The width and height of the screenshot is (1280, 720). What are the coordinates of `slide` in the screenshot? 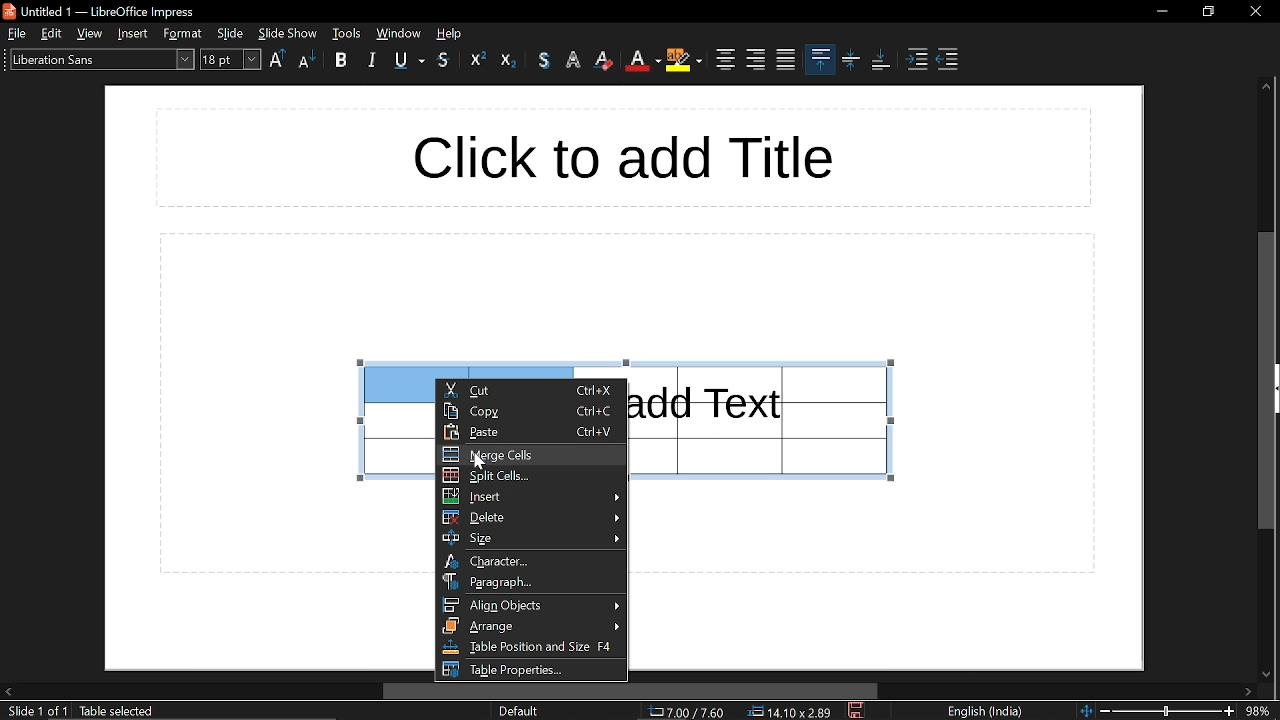 It's located at (231, 33).